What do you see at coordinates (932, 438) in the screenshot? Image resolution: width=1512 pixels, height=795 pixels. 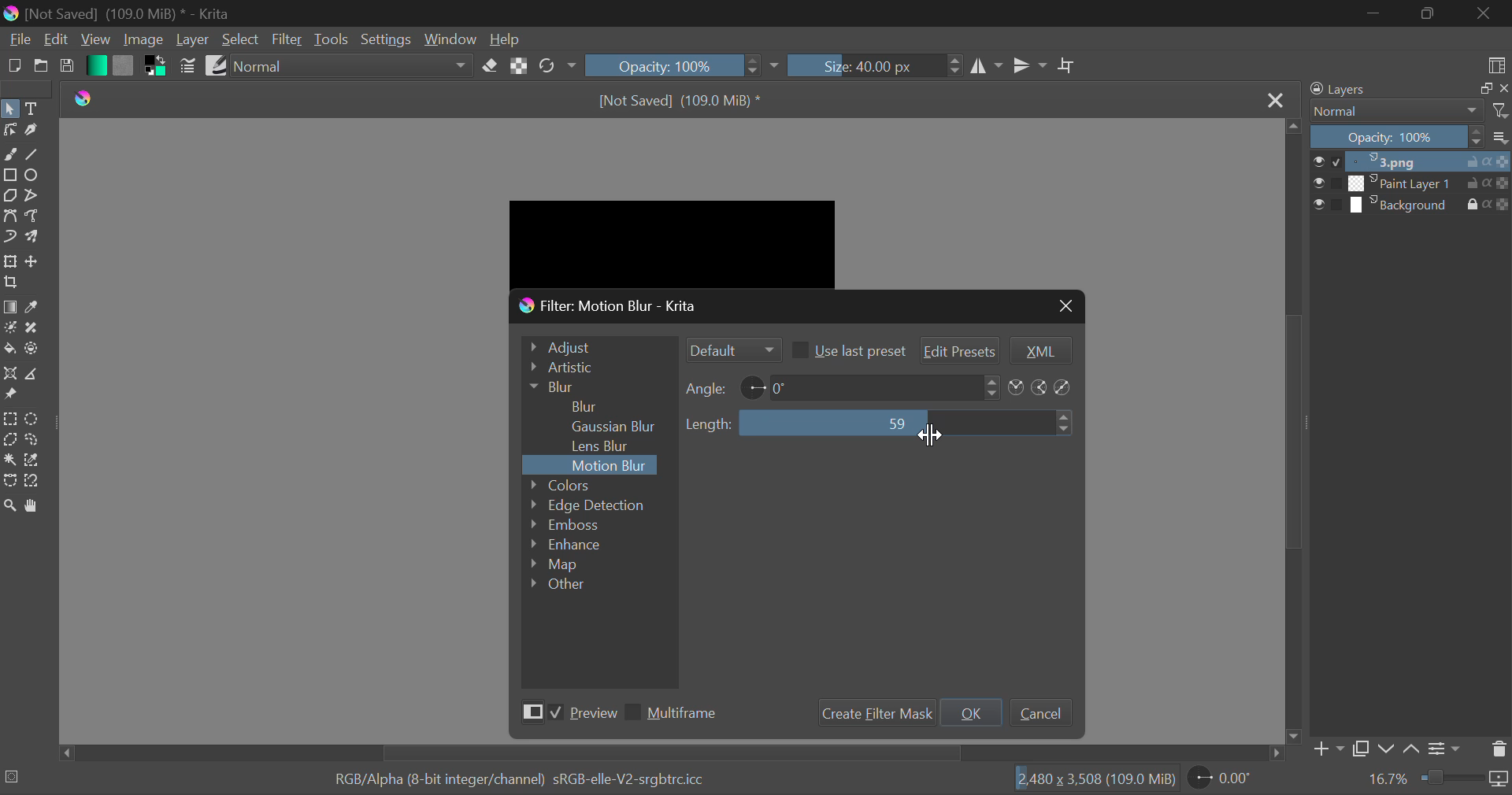 I see `Cursor` at bounding box center [932, 438].